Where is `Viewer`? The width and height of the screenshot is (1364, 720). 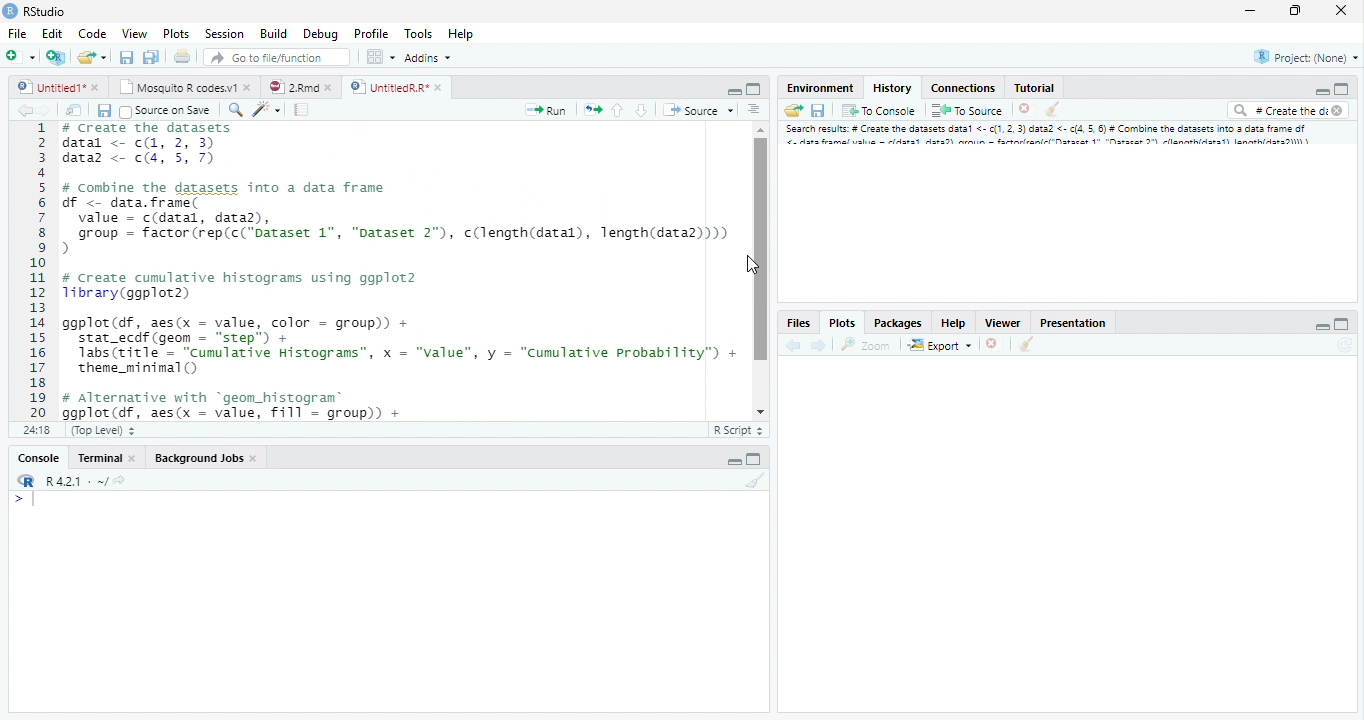 Viewer is located at coordinates (1002, 323).